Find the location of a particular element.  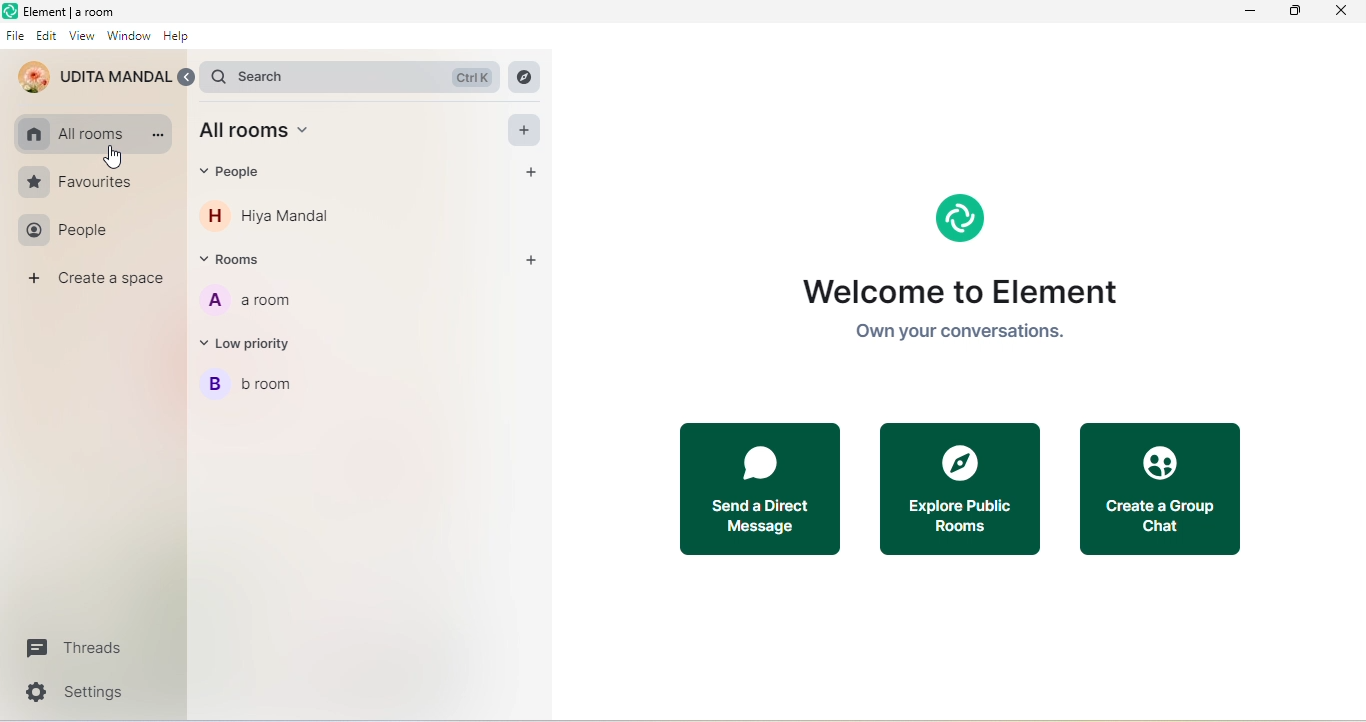

Welcome to Element Own your conversations. is located at coordinates (965, 269).